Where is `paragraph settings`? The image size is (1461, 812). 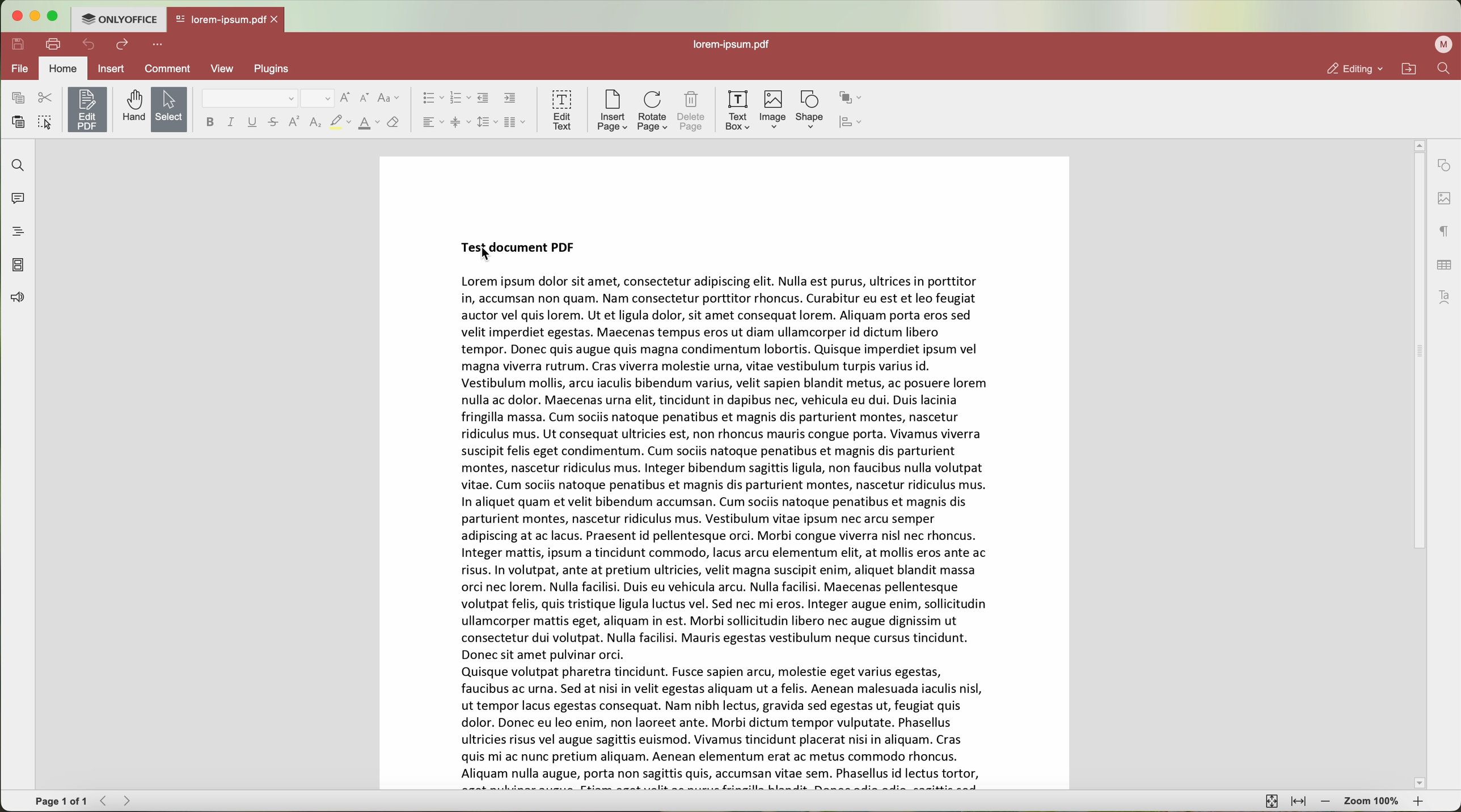
paragraph settings is located at coordinates (1443, 234).